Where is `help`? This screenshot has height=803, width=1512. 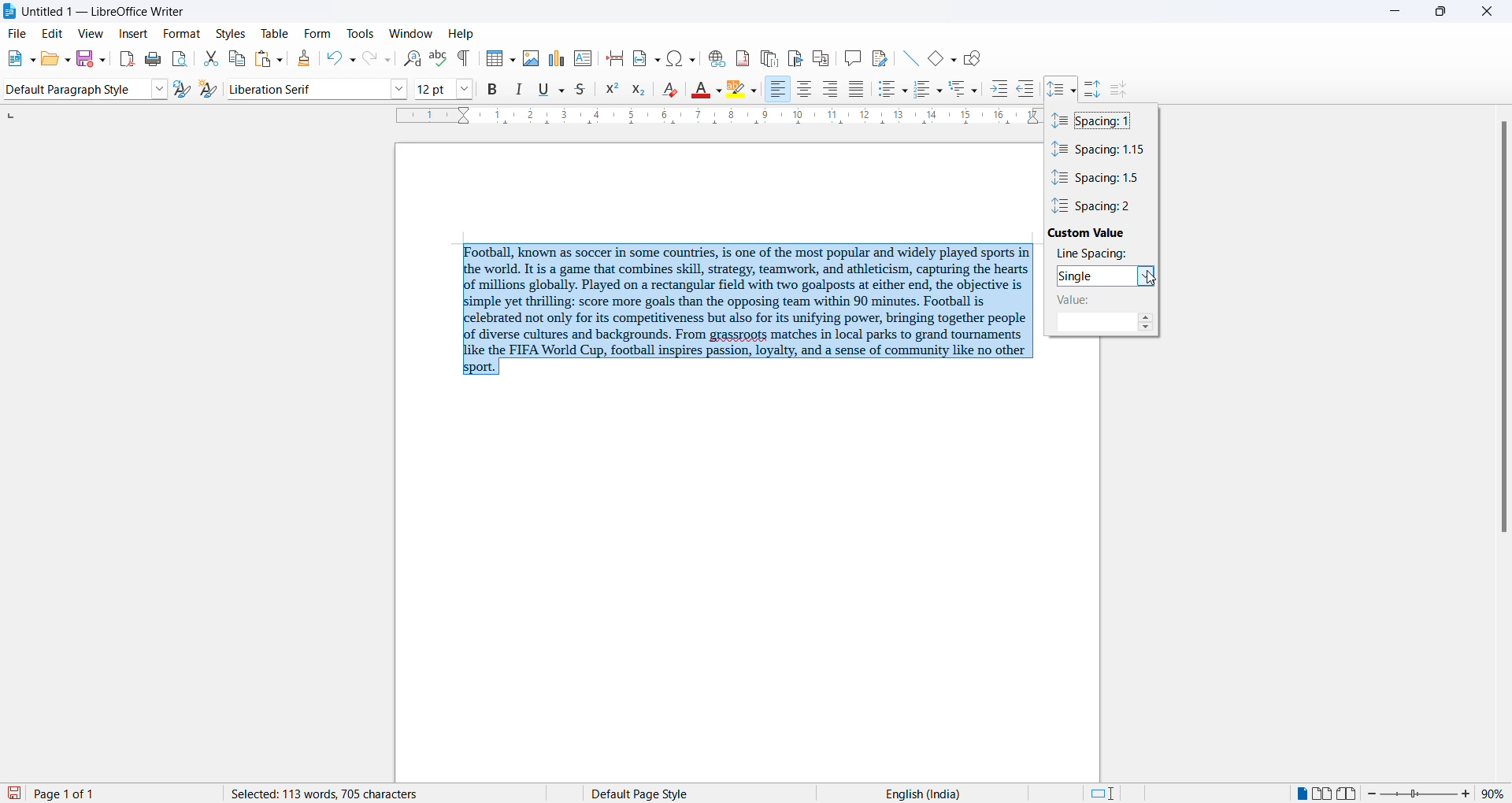 help is located at coordinates (461, 33).